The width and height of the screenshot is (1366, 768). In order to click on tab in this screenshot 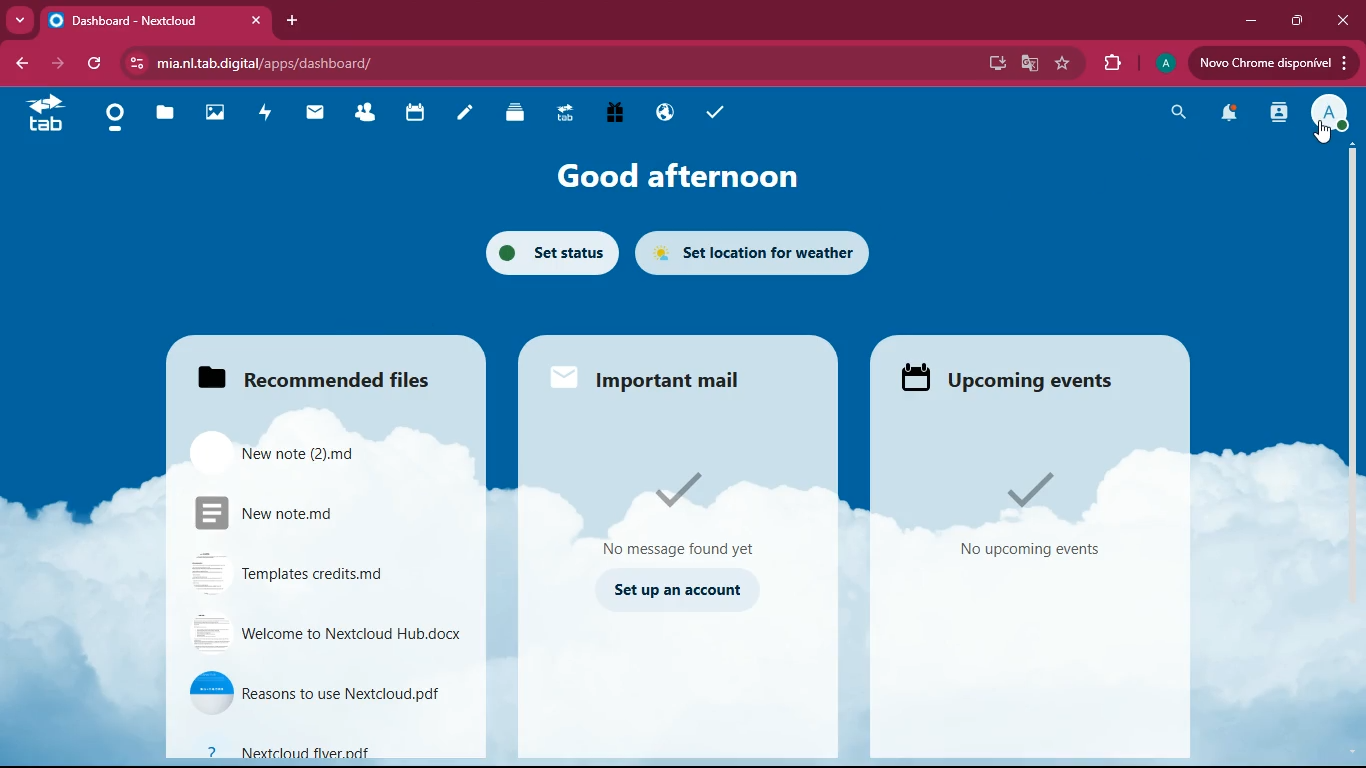, I will do `click(143, 20)`.